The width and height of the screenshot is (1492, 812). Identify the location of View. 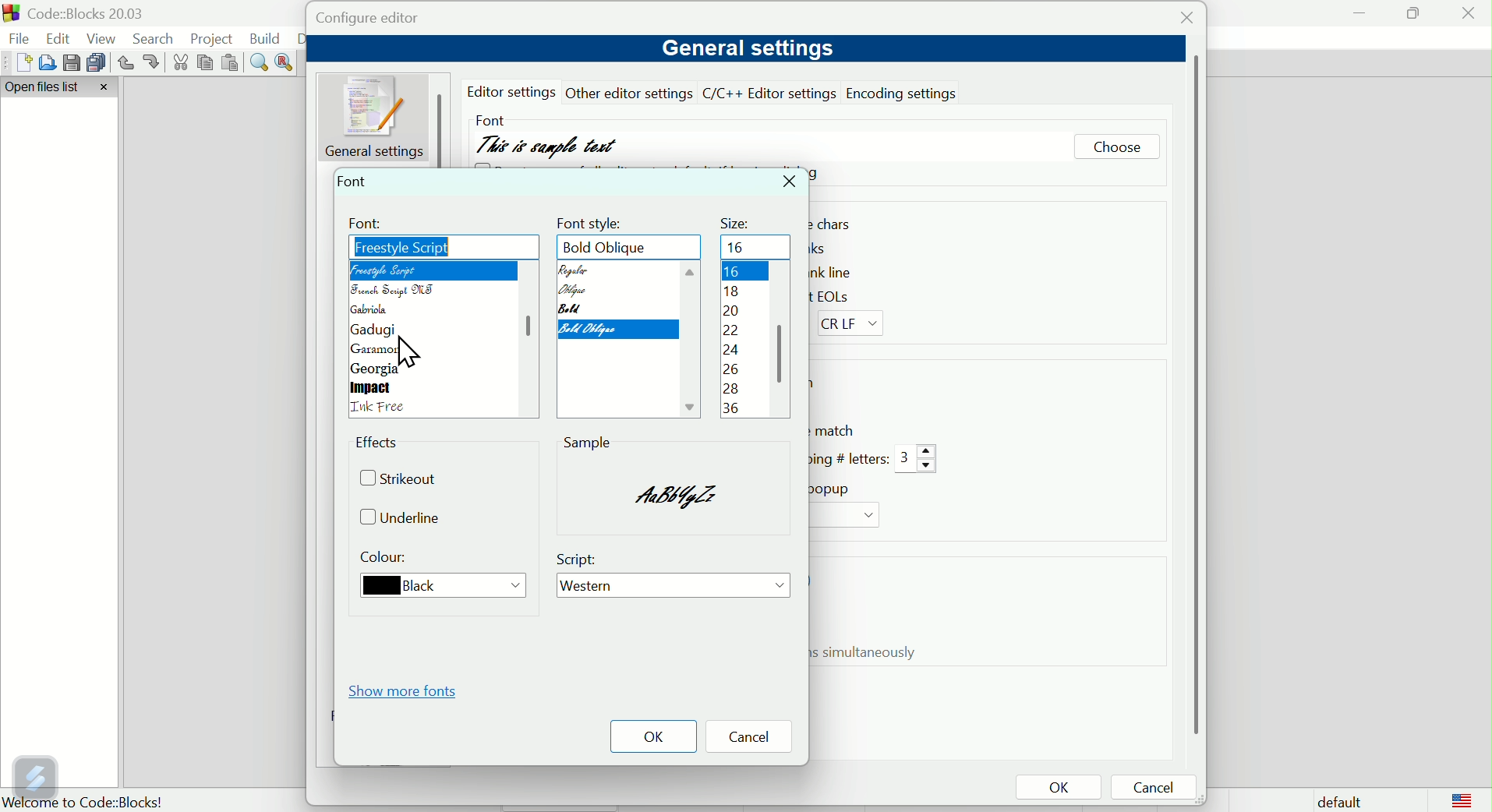
(104, 38).